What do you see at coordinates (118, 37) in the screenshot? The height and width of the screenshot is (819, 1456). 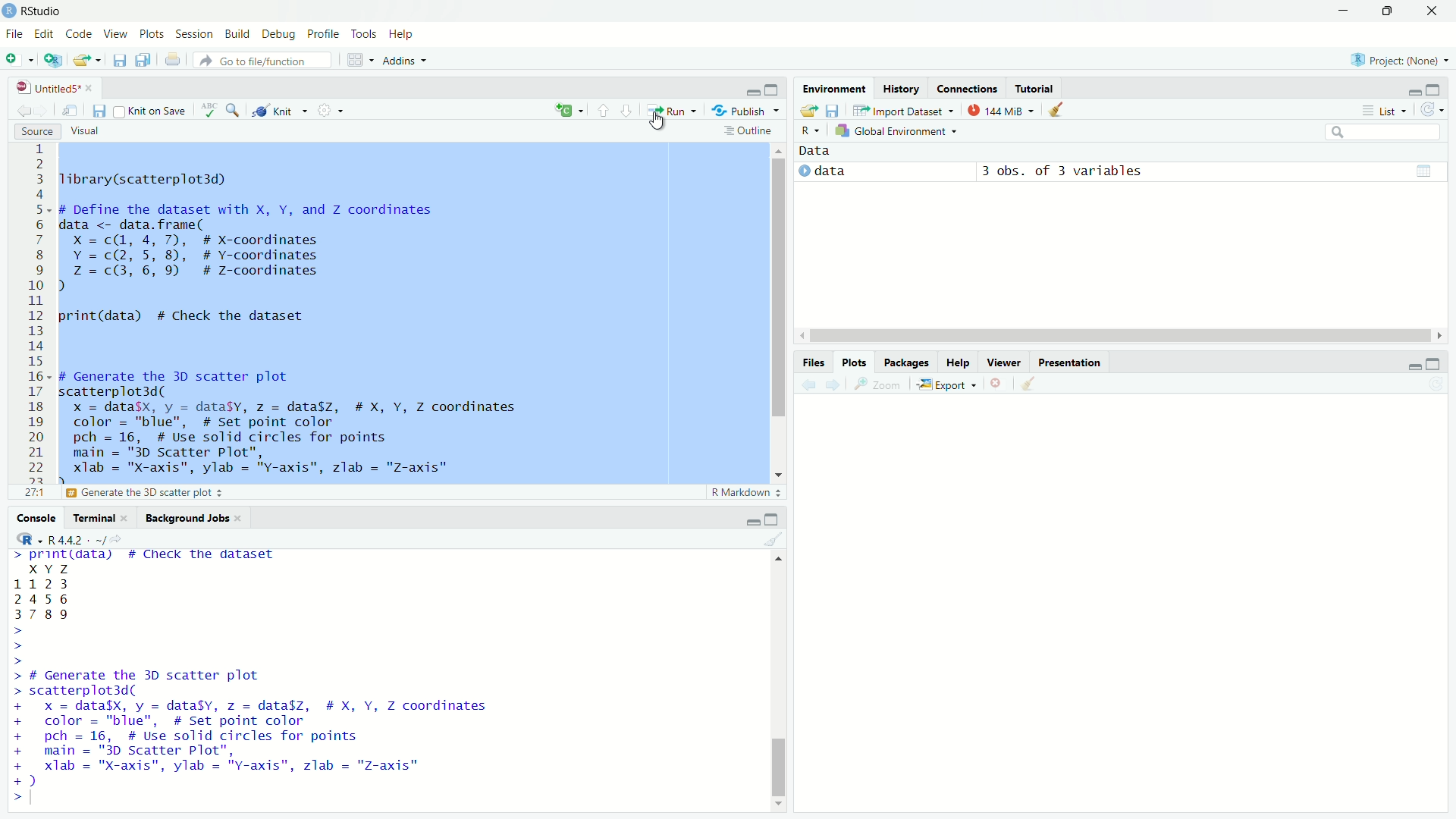 I see `view` at bounding box center [118, 37].